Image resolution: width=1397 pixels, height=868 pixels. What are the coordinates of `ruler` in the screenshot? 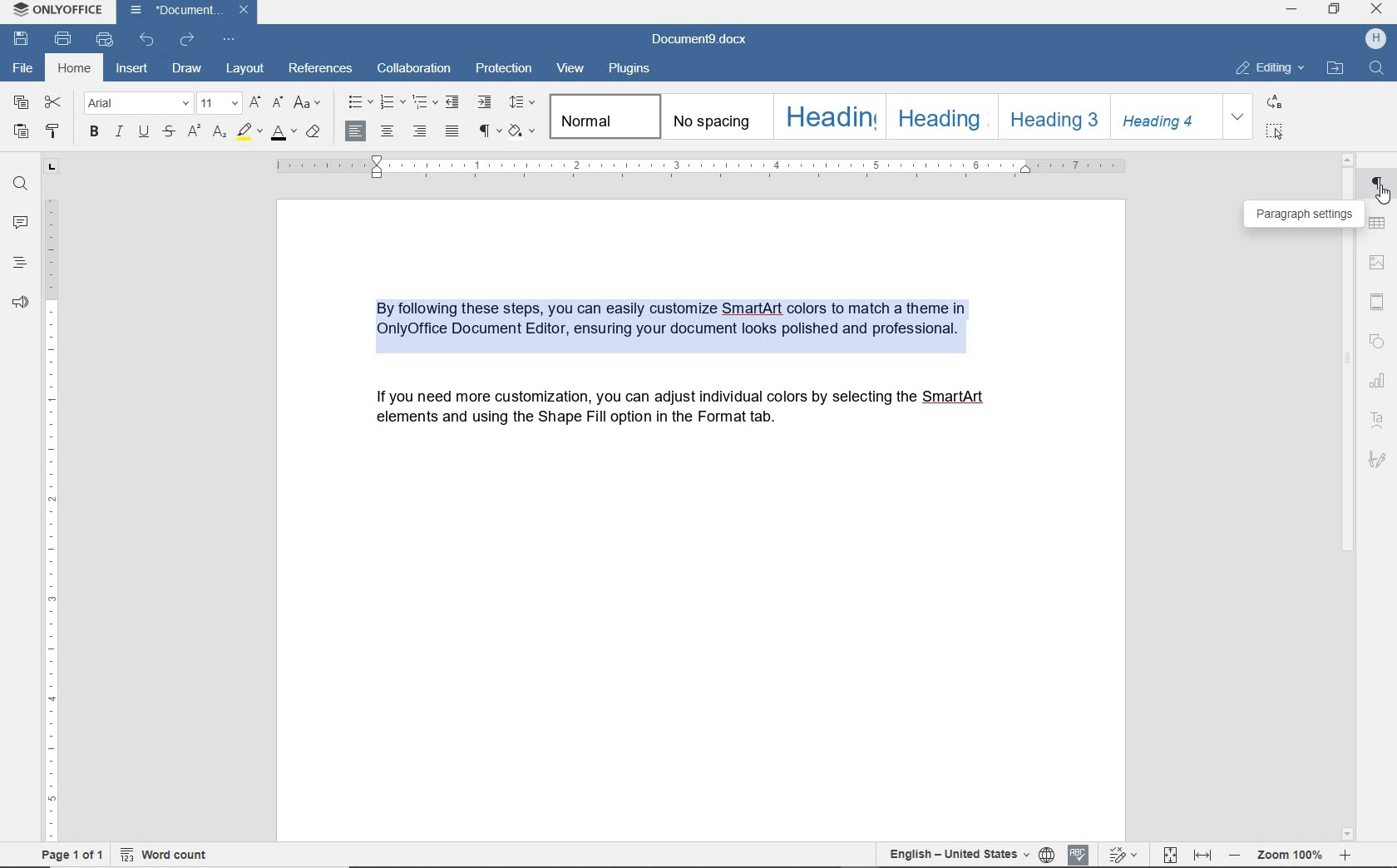 It's located at (695, 165).